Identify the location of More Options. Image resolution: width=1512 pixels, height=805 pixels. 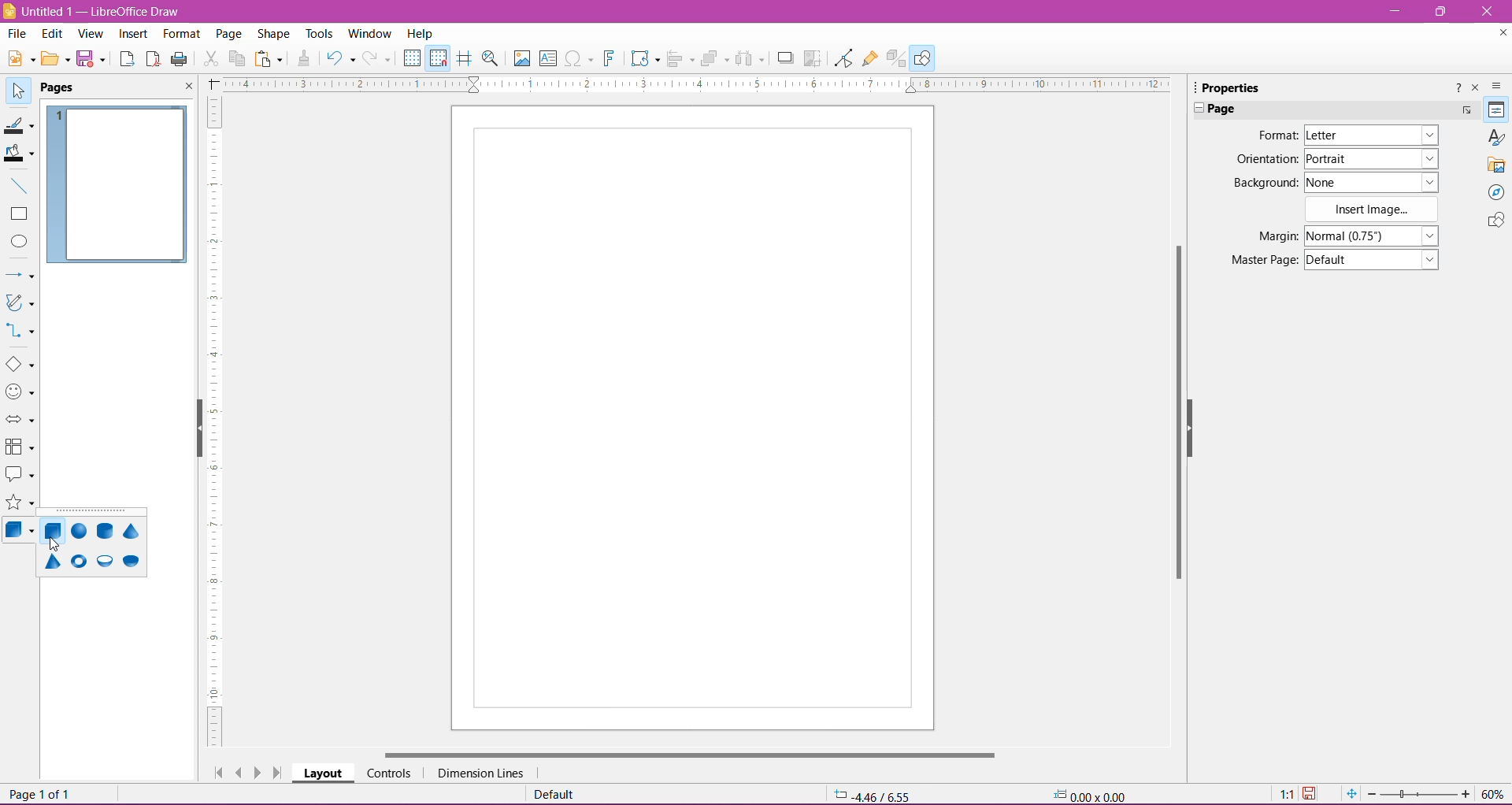
(1466, 112).